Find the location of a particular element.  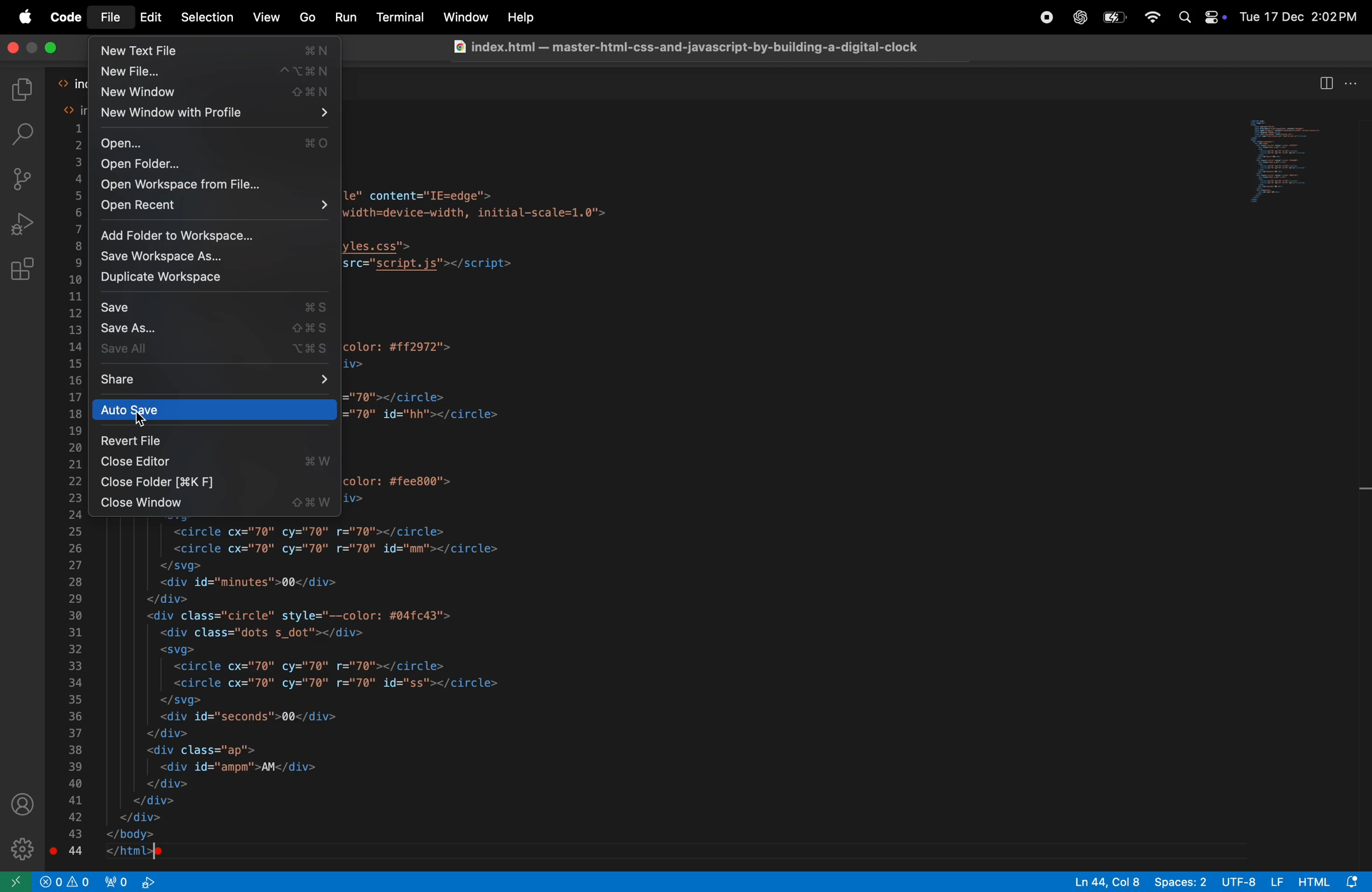

close folder is located at coordinates (214, 482).